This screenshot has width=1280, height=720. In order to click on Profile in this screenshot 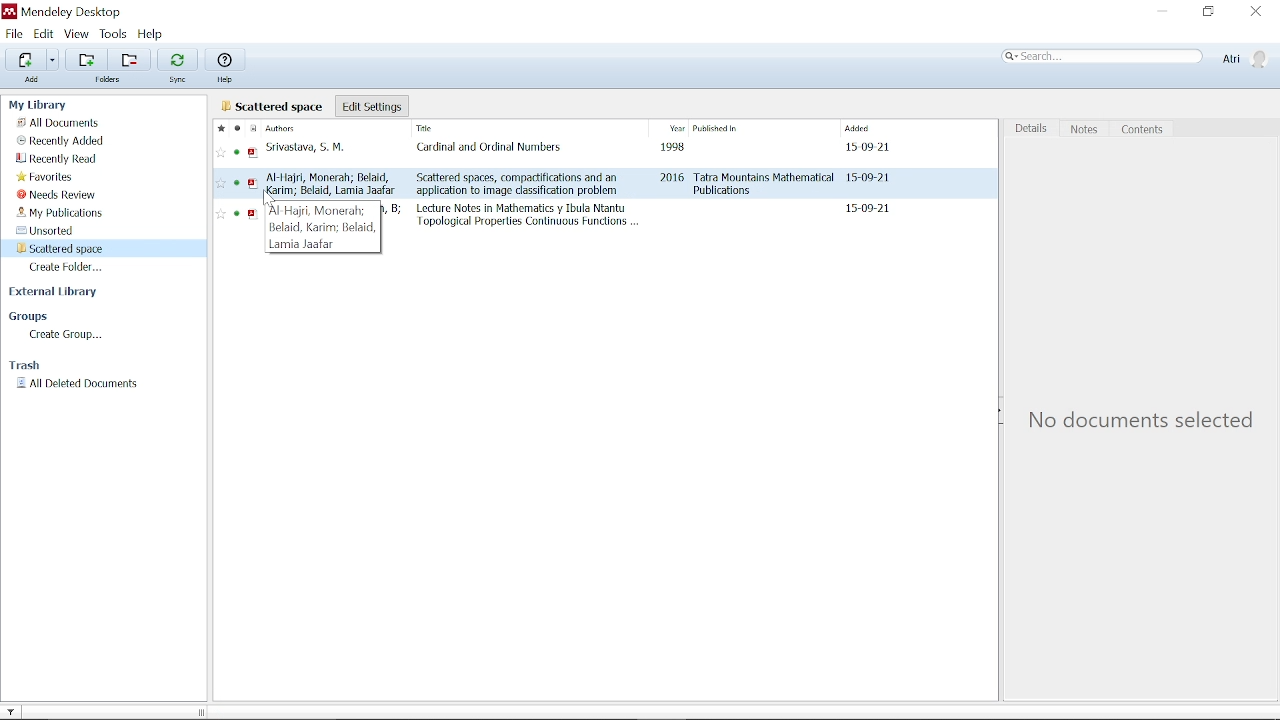, I will do `click(1244, 59)`.